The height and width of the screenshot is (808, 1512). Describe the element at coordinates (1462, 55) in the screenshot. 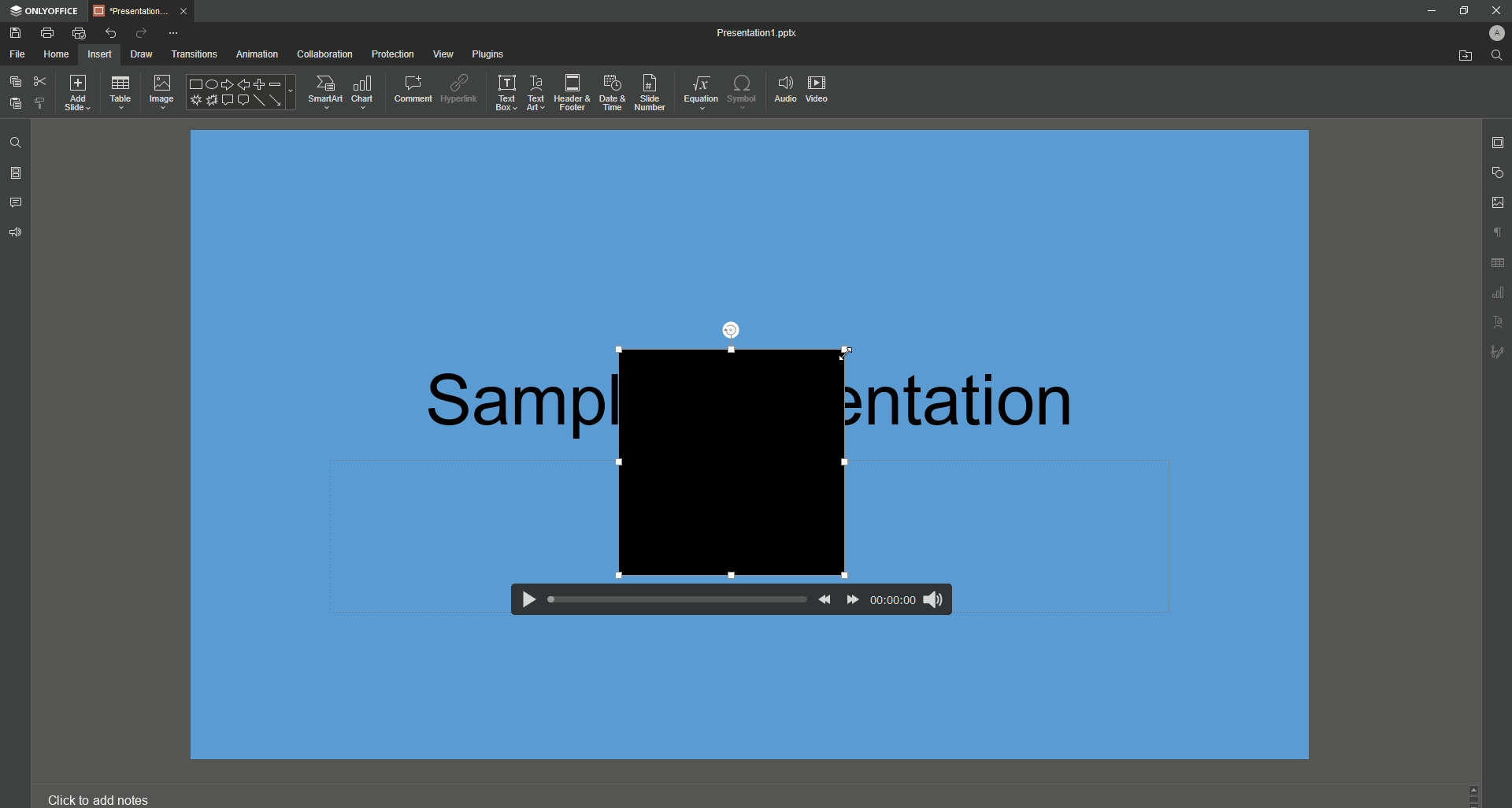

I see `Open From File` at that location.